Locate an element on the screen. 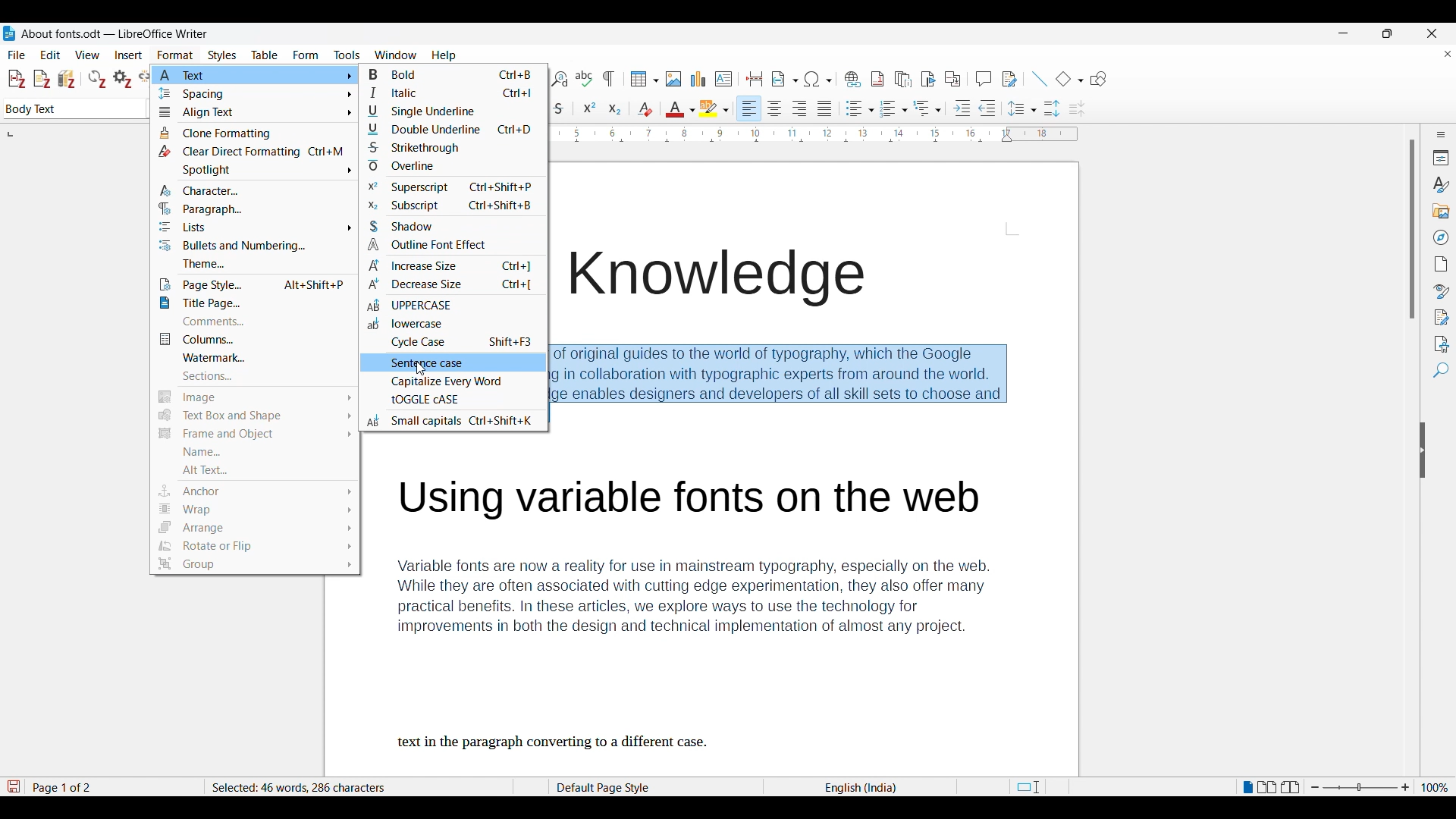 The image size is (1456, 819). Paragraph alignment options is located at coordinates (786, 108).